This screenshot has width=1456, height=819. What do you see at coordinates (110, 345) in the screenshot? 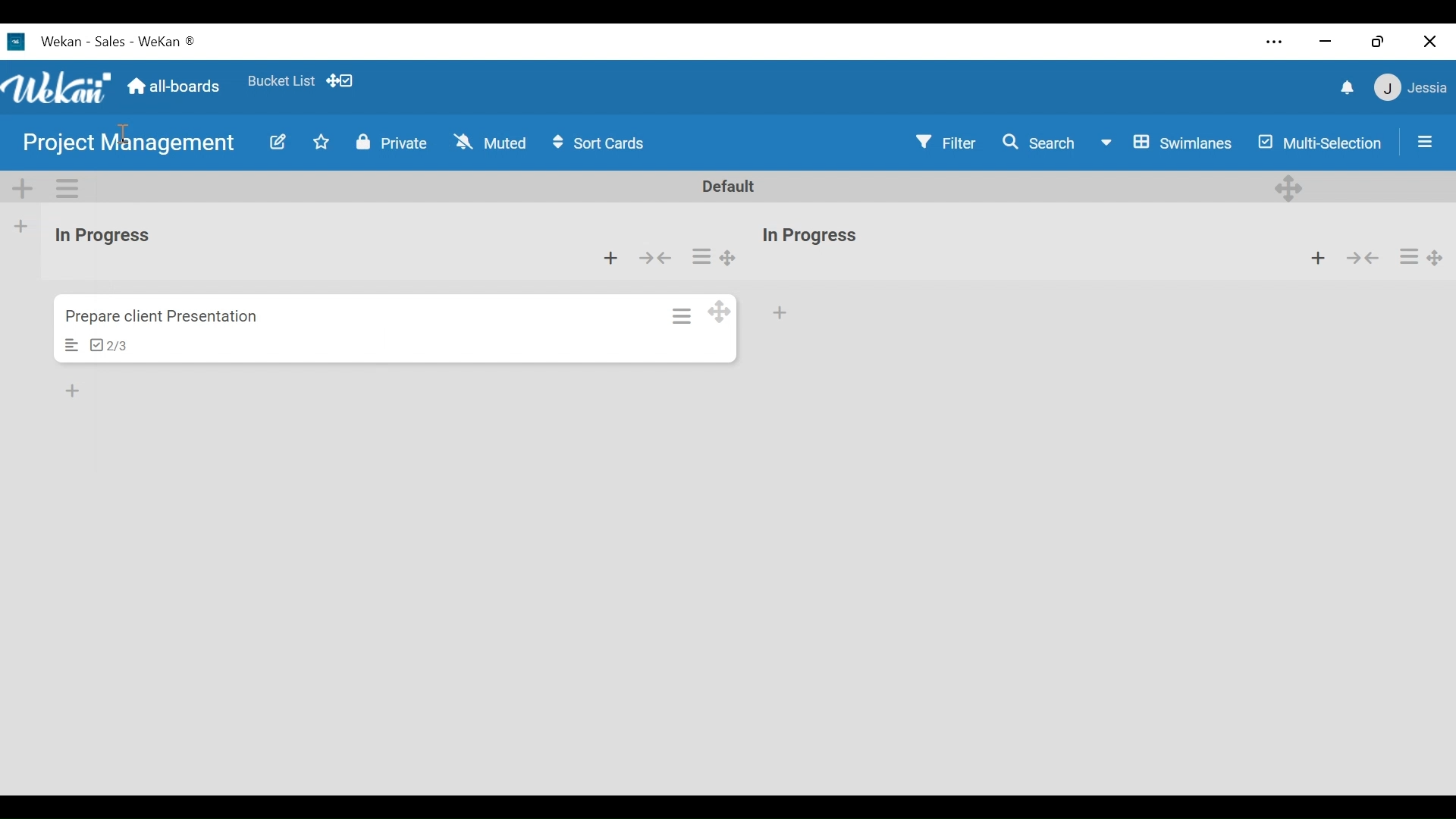
I see `Checklist` at bounding box center [110, 345].